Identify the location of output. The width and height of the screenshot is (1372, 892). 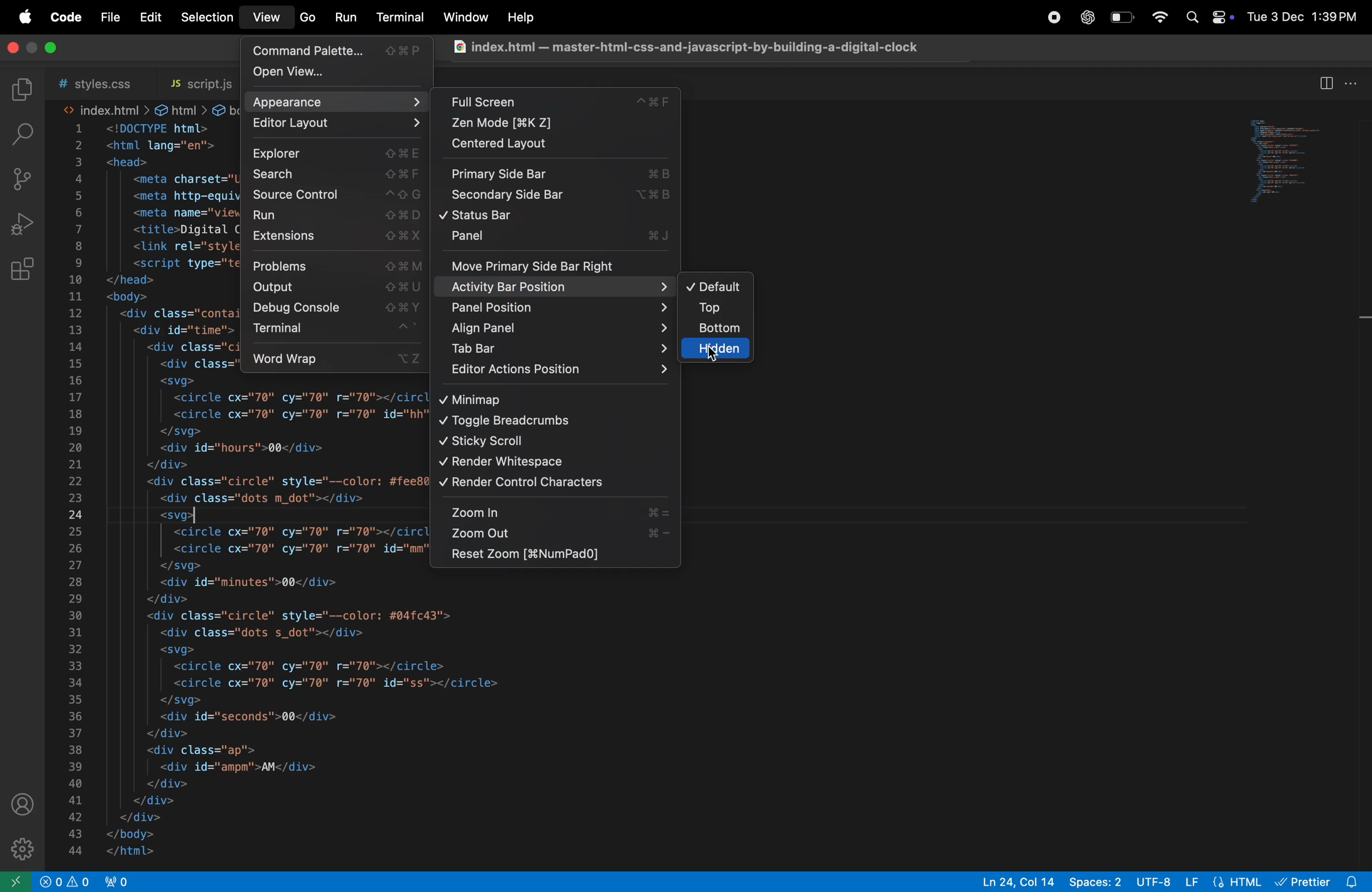
(335, 288).